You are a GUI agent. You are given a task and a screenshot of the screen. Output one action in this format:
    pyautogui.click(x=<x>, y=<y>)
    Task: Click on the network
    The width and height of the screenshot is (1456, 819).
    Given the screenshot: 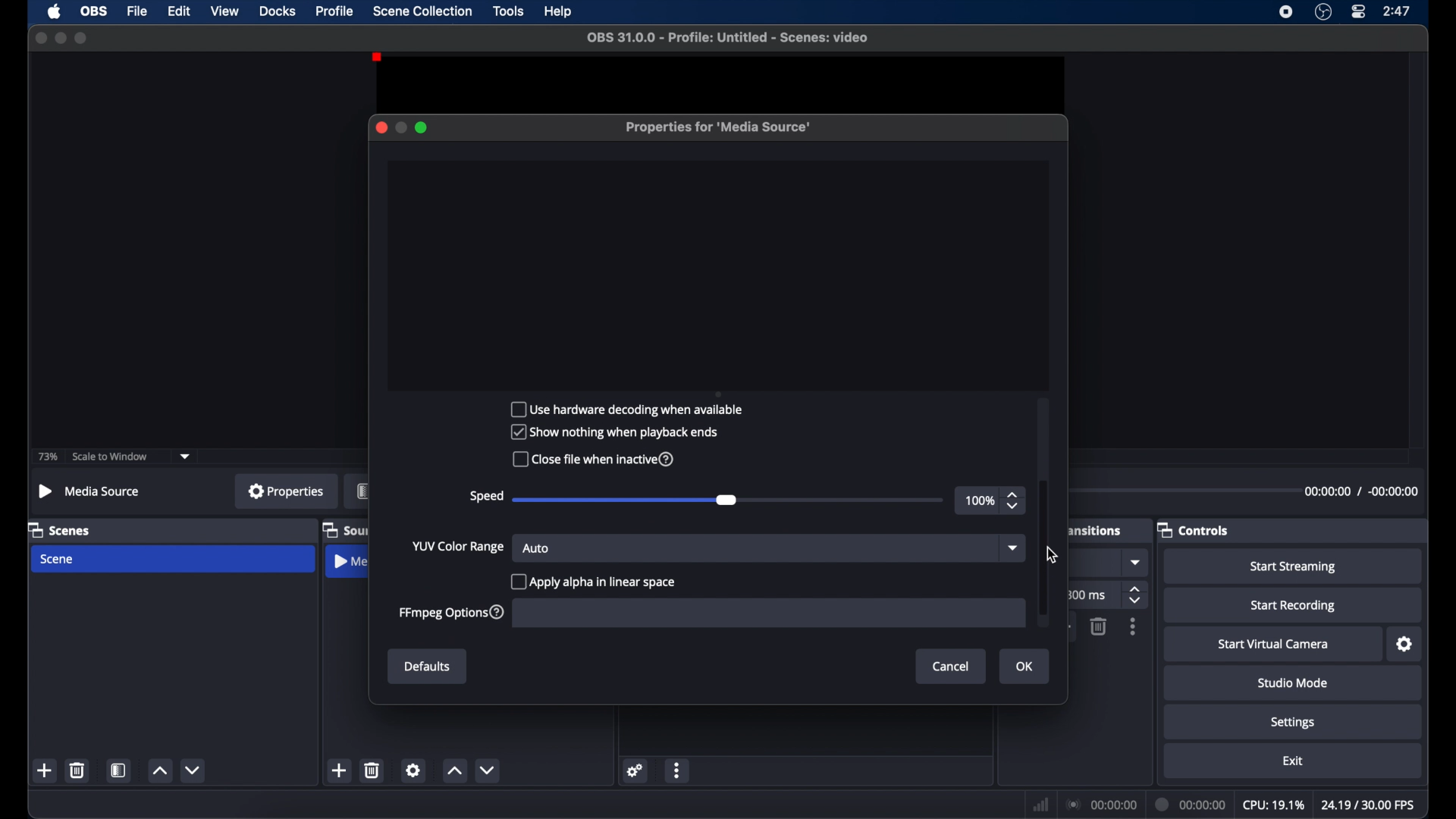 What is the action you would take?
    pyautogui.click(x=1040, y=805)
    